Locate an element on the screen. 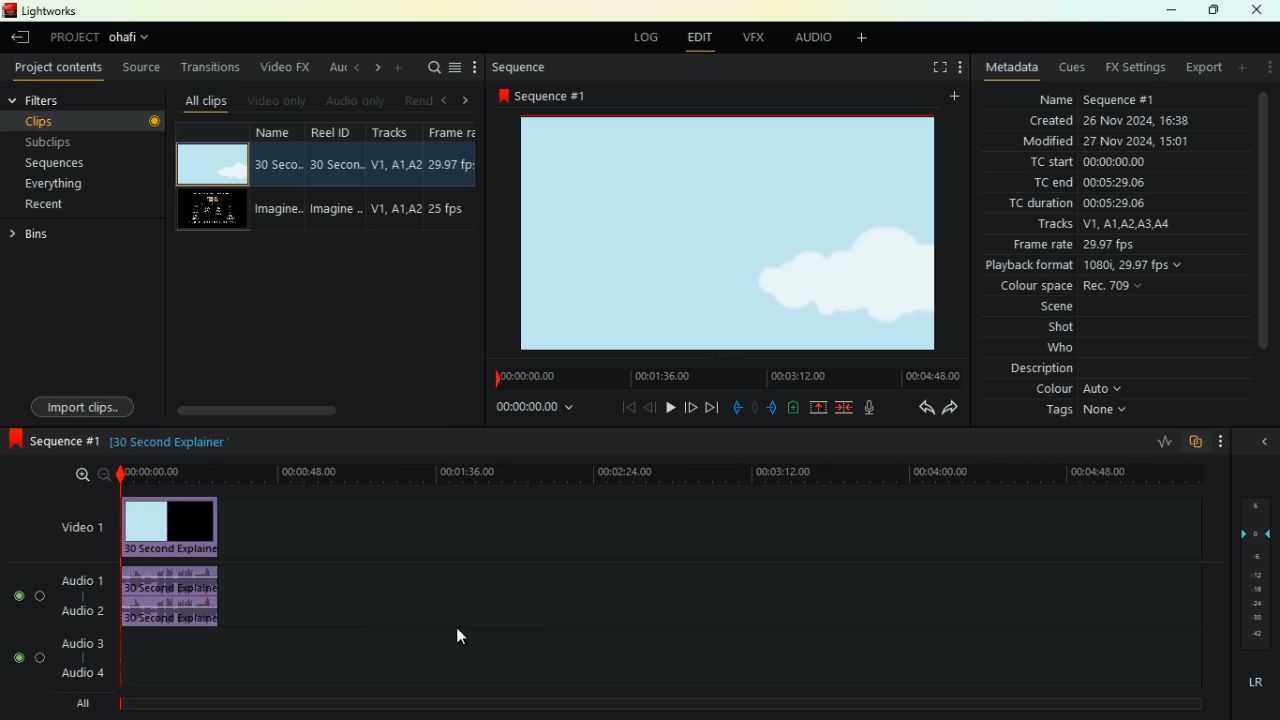  description is located at coordinates (1041, 370).